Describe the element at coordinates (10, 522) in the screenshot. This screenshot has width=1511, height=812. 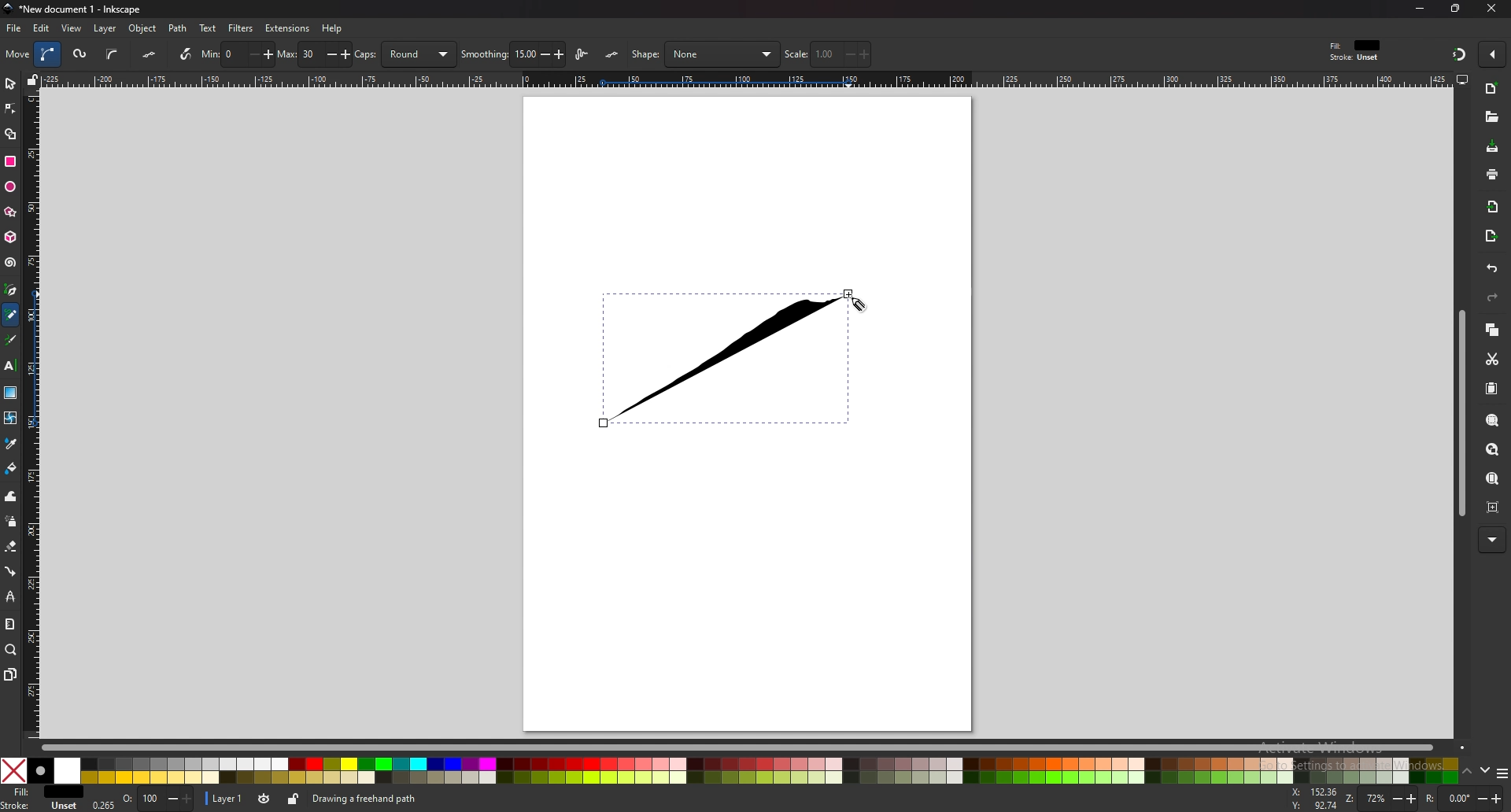
I see `spray` at that location.